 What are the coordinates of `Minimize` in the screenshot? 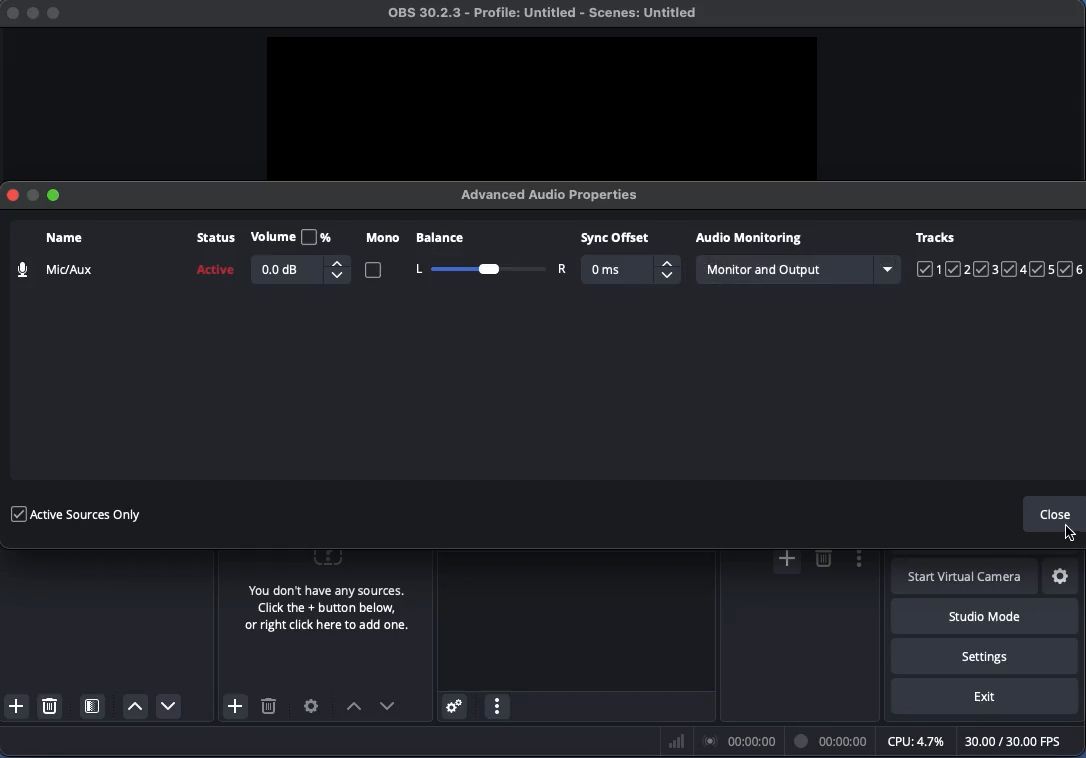 It's located at (33, 198).